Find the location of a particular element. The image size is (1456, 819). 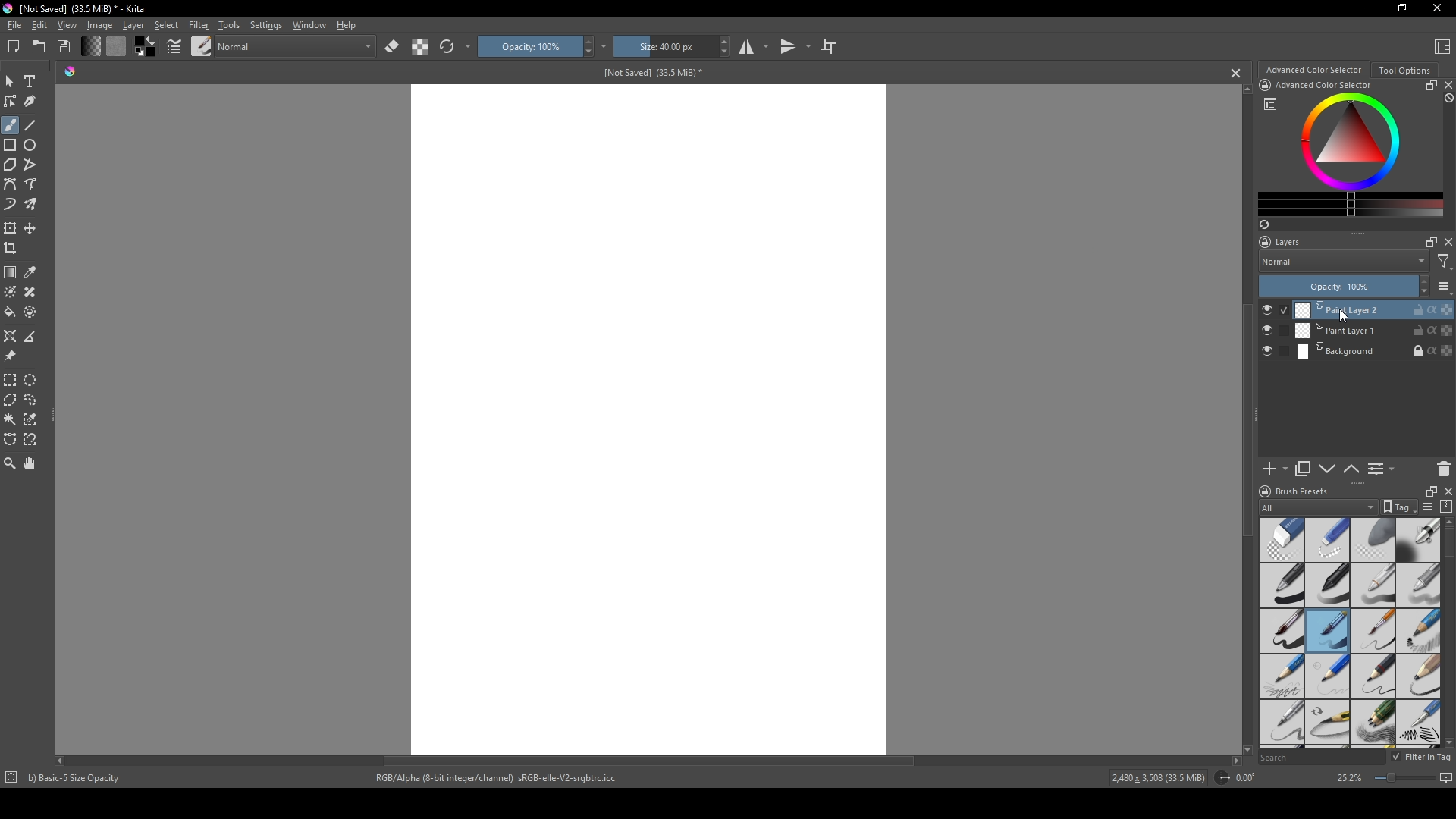

down is located at coordinates (1327, 469).